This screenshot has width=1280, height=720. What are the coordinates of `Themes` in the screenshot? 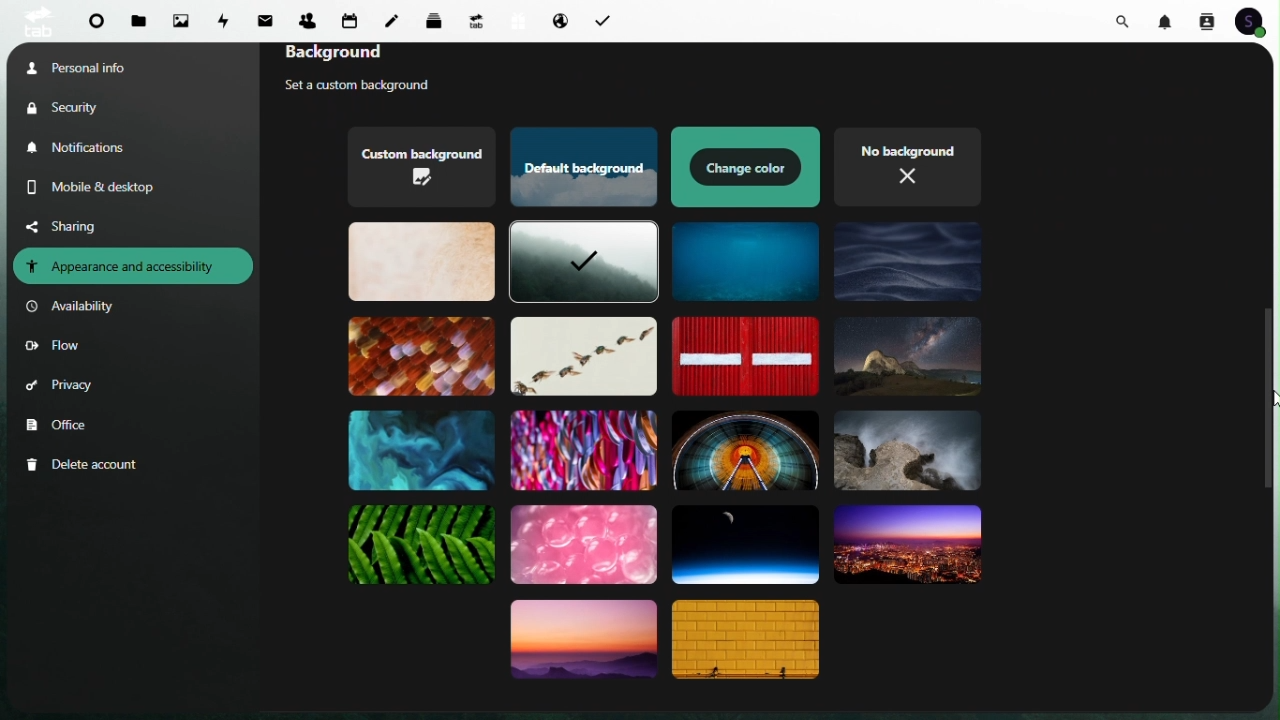 It's located at (906, 453).